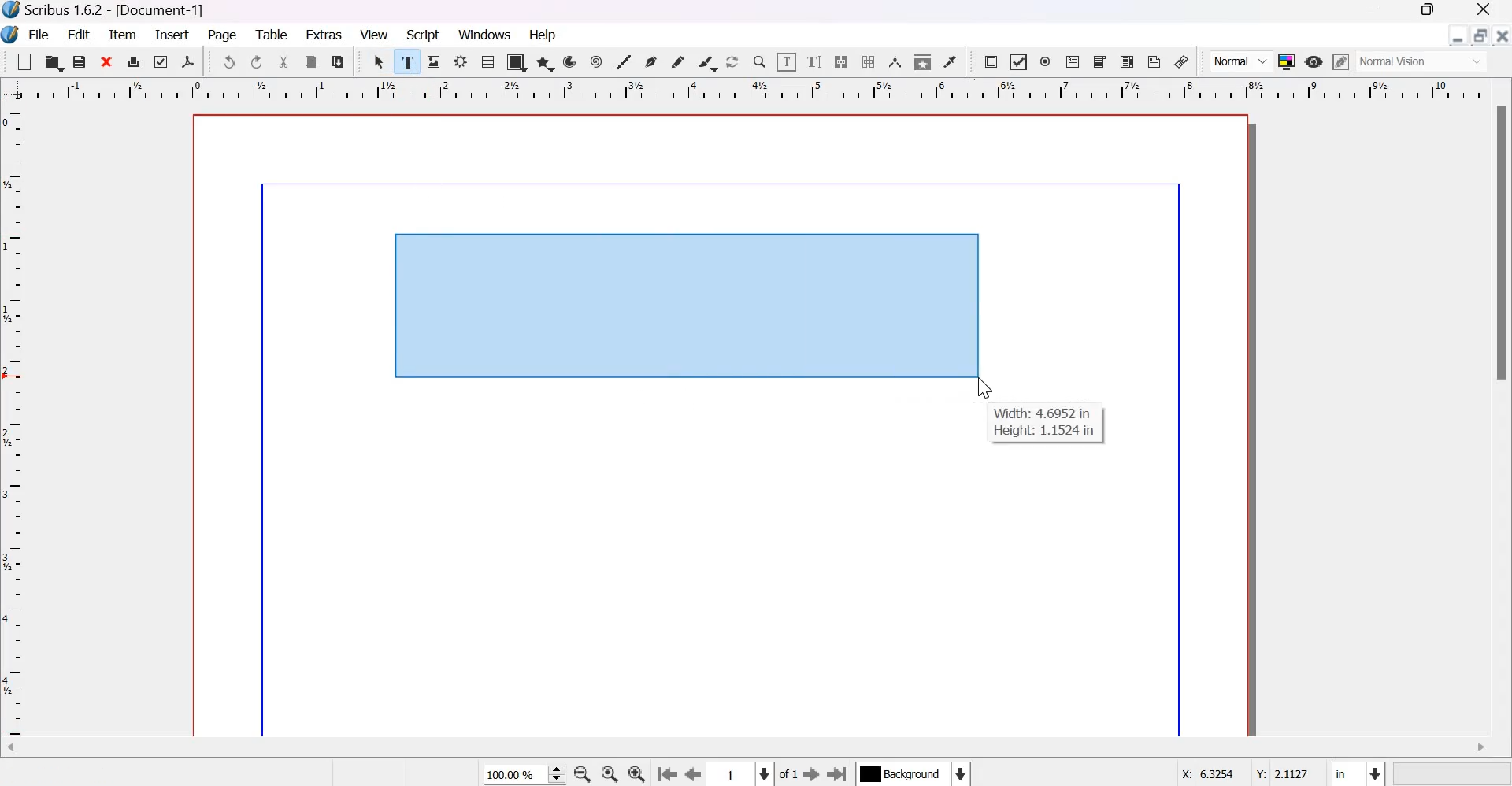 Image resolution: width=1512 pixels, height=786 pixels. Describe the element at coordinates (18, 423) in the screenshot. I see `vertical scale` at that location.